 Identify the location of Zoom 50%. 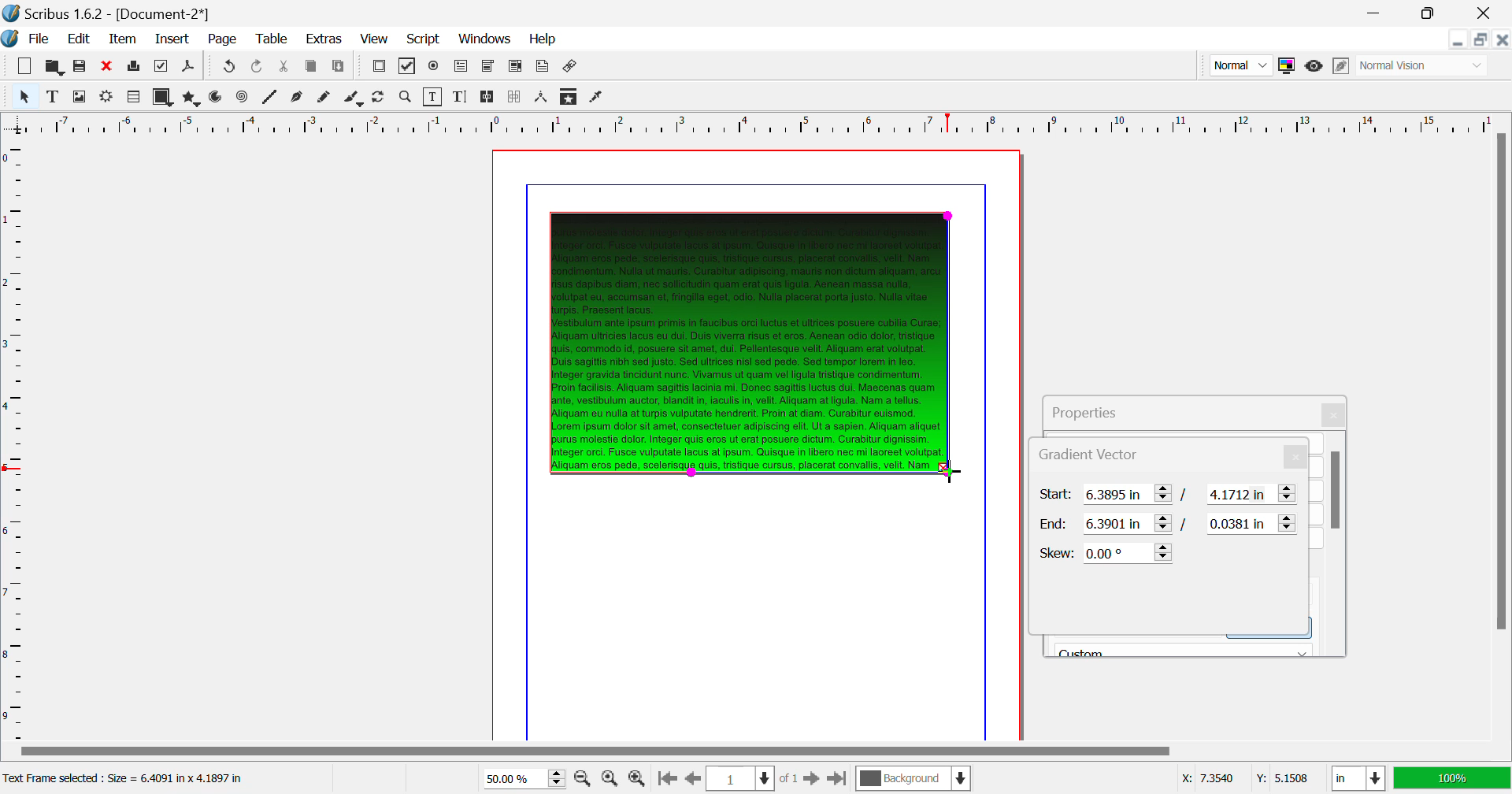
(518, 778).